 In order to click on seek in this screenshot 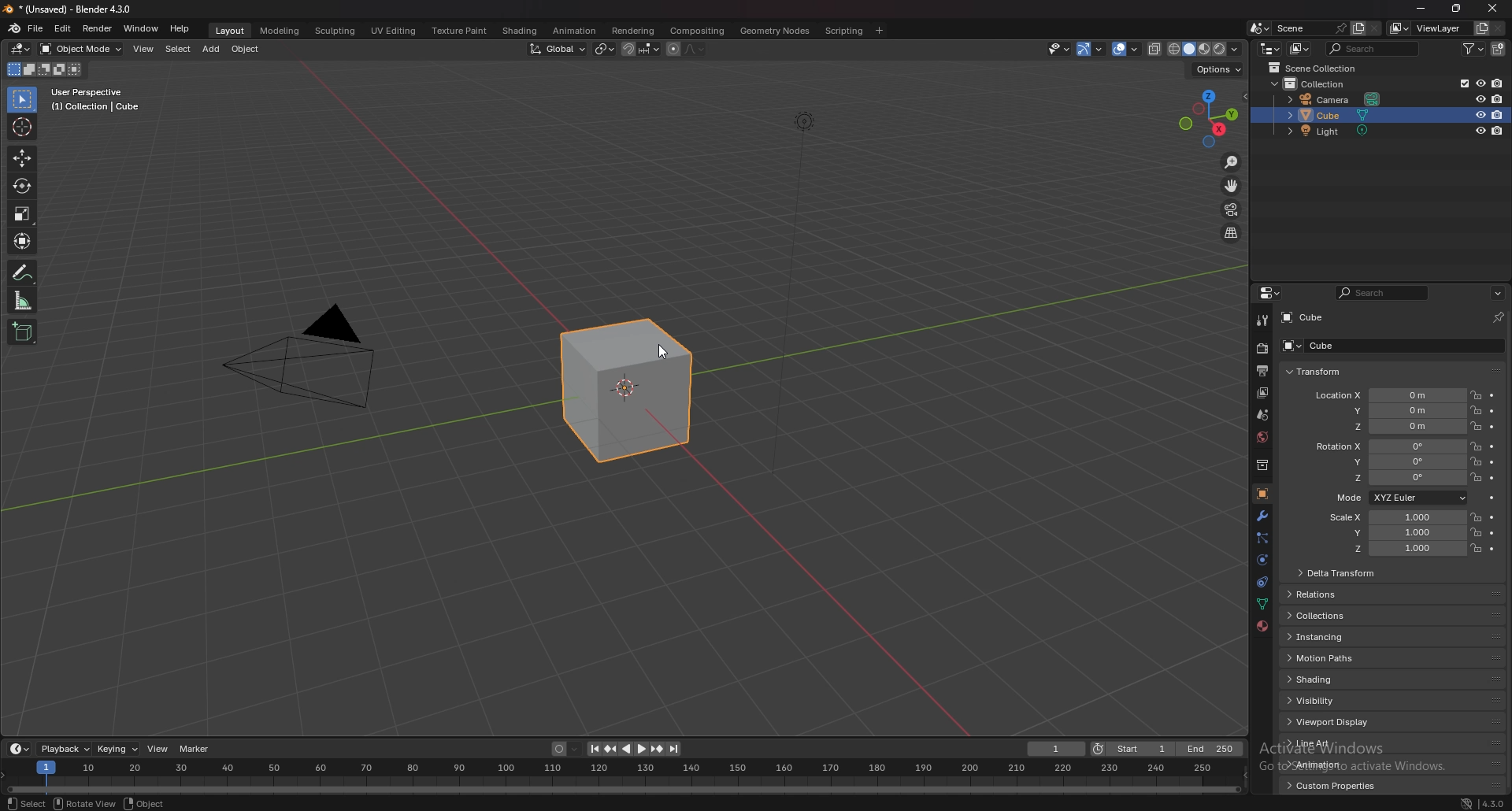, I will do `click(621, 777)`.